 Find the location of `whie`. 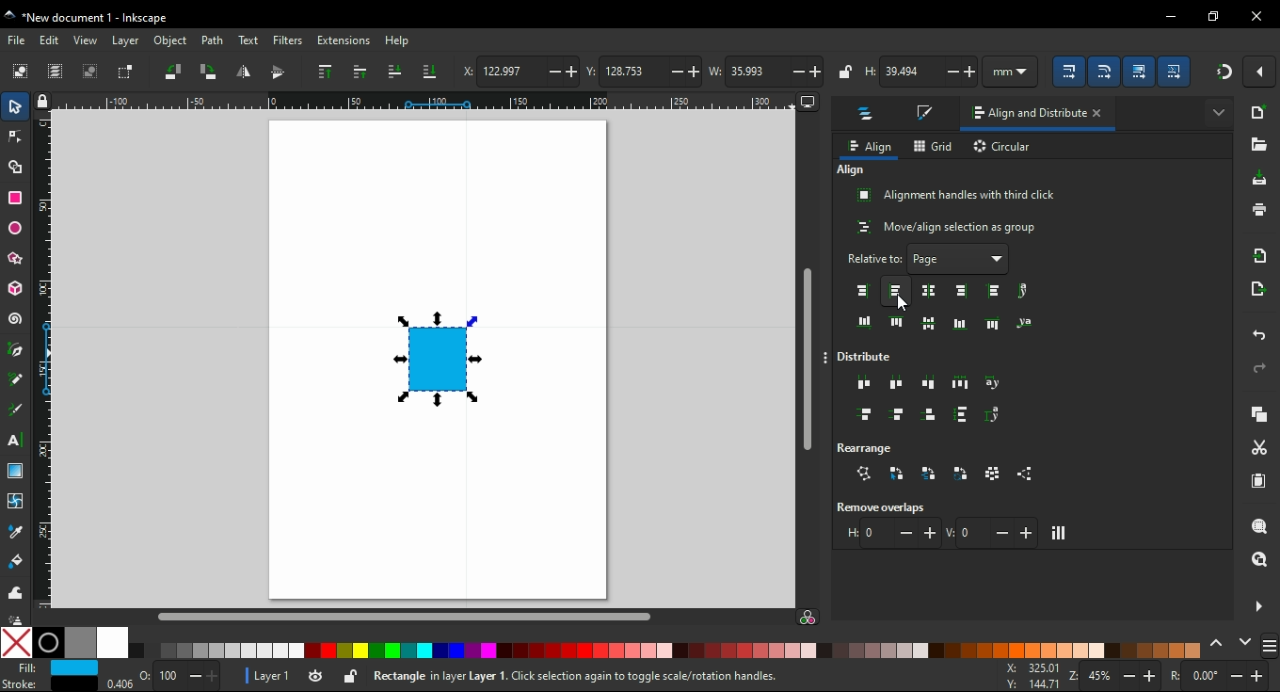

whie is located at coordinates (114, 644).